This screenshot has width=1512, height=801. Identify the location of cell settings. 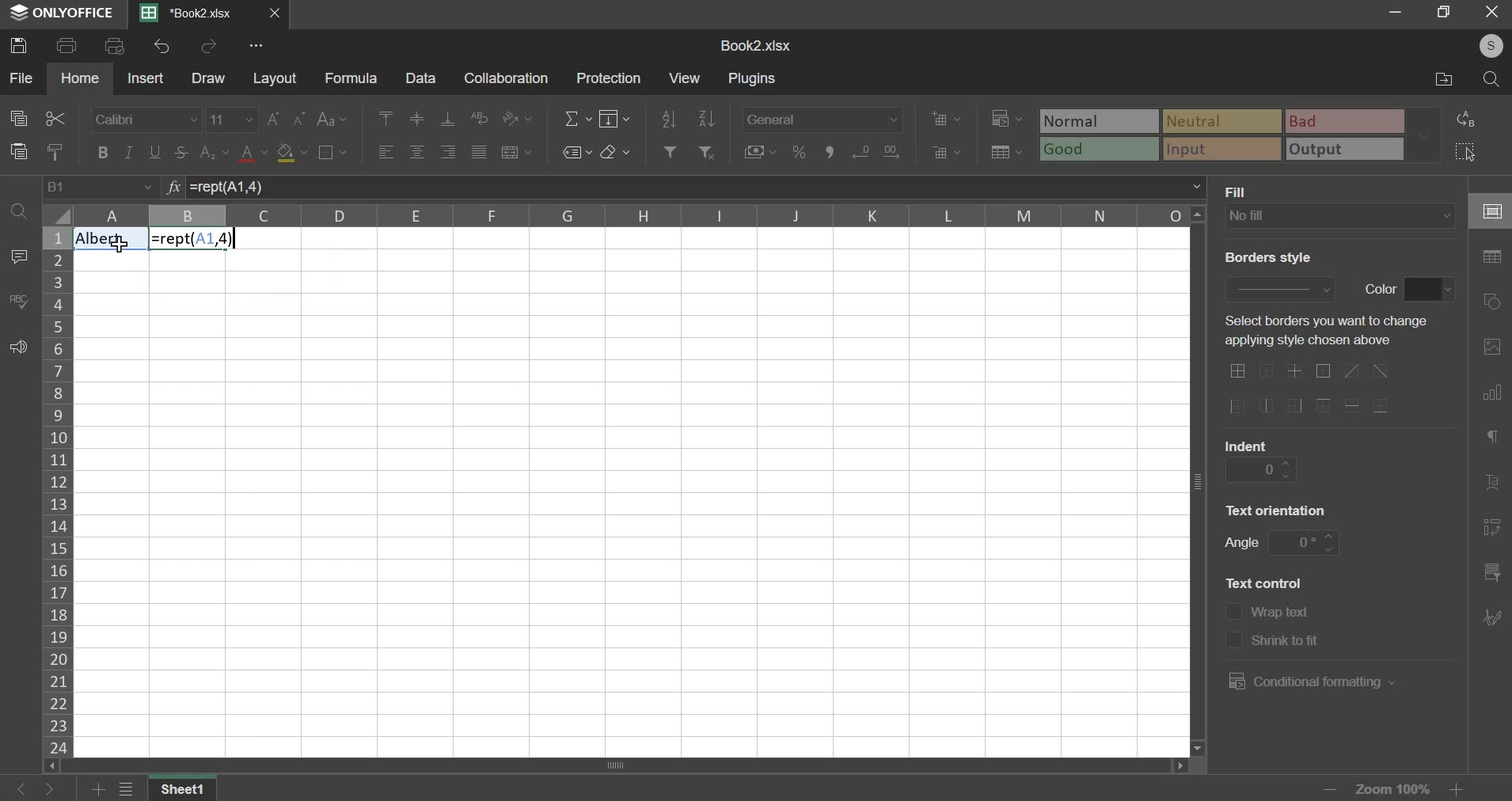
(1491, 211).